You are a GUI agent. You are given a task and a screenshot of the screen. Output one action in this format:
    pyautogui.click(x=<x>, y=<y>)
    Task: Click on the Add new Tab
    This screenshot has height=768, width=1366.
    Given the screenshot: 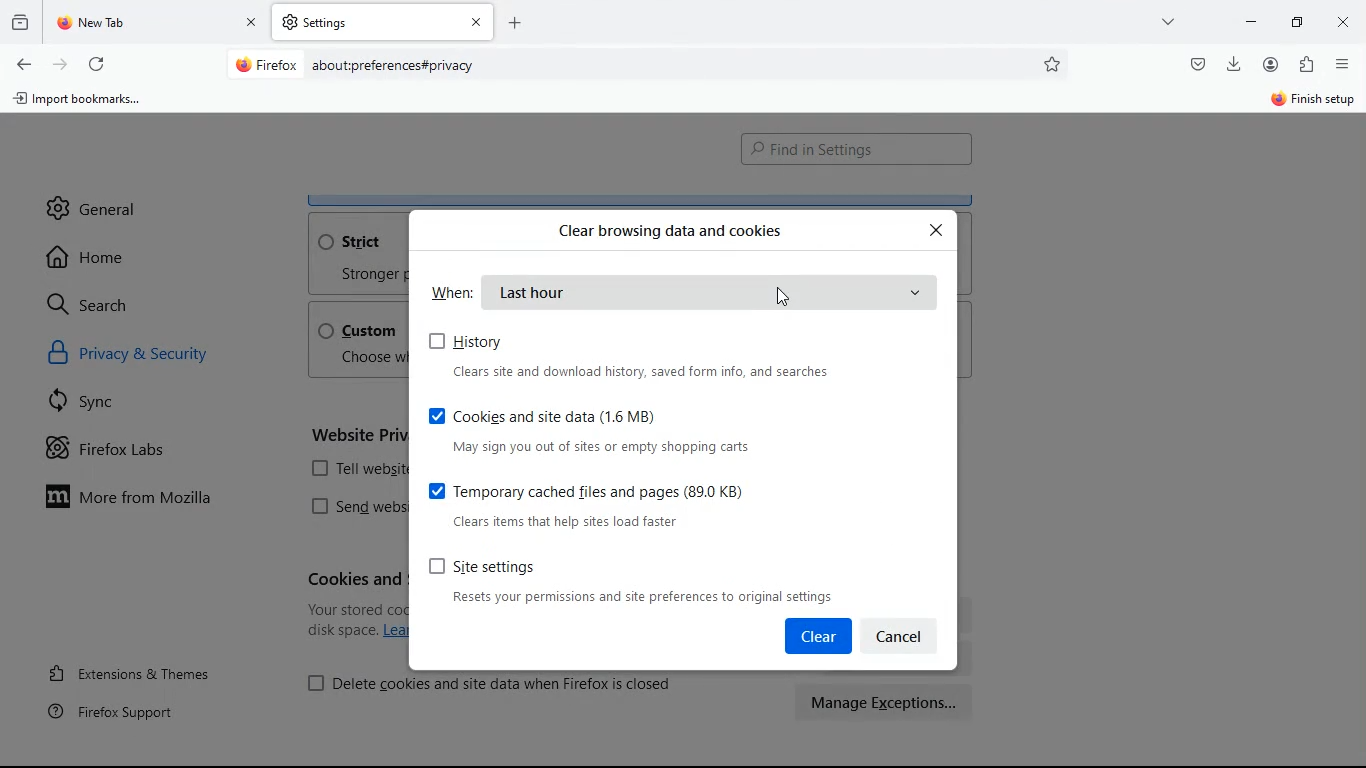 What is the action you would take?
    pyautogui.click(x=515, y=22)
    